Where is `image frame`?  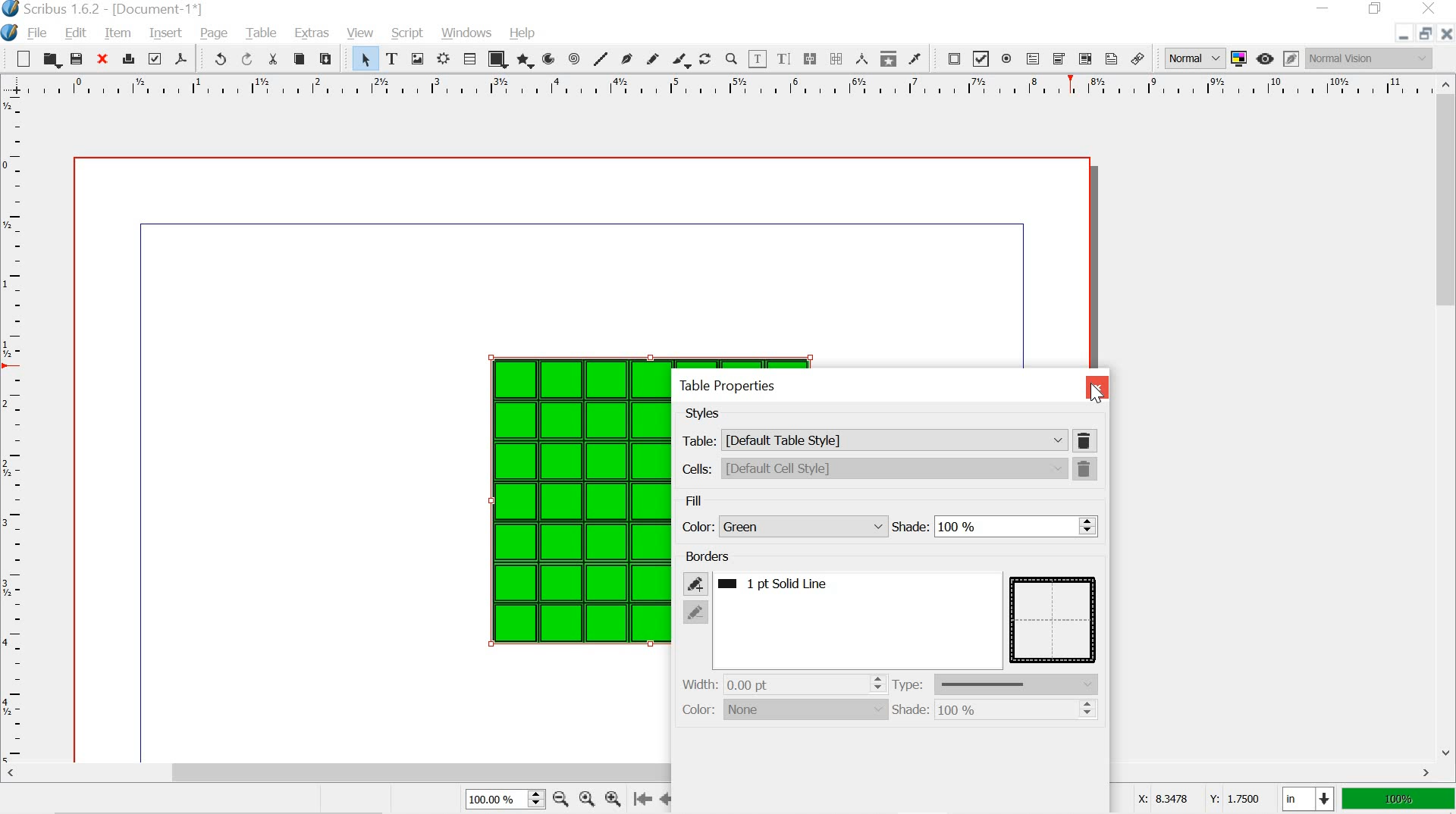
image frame is located at coordinates (417, 58).